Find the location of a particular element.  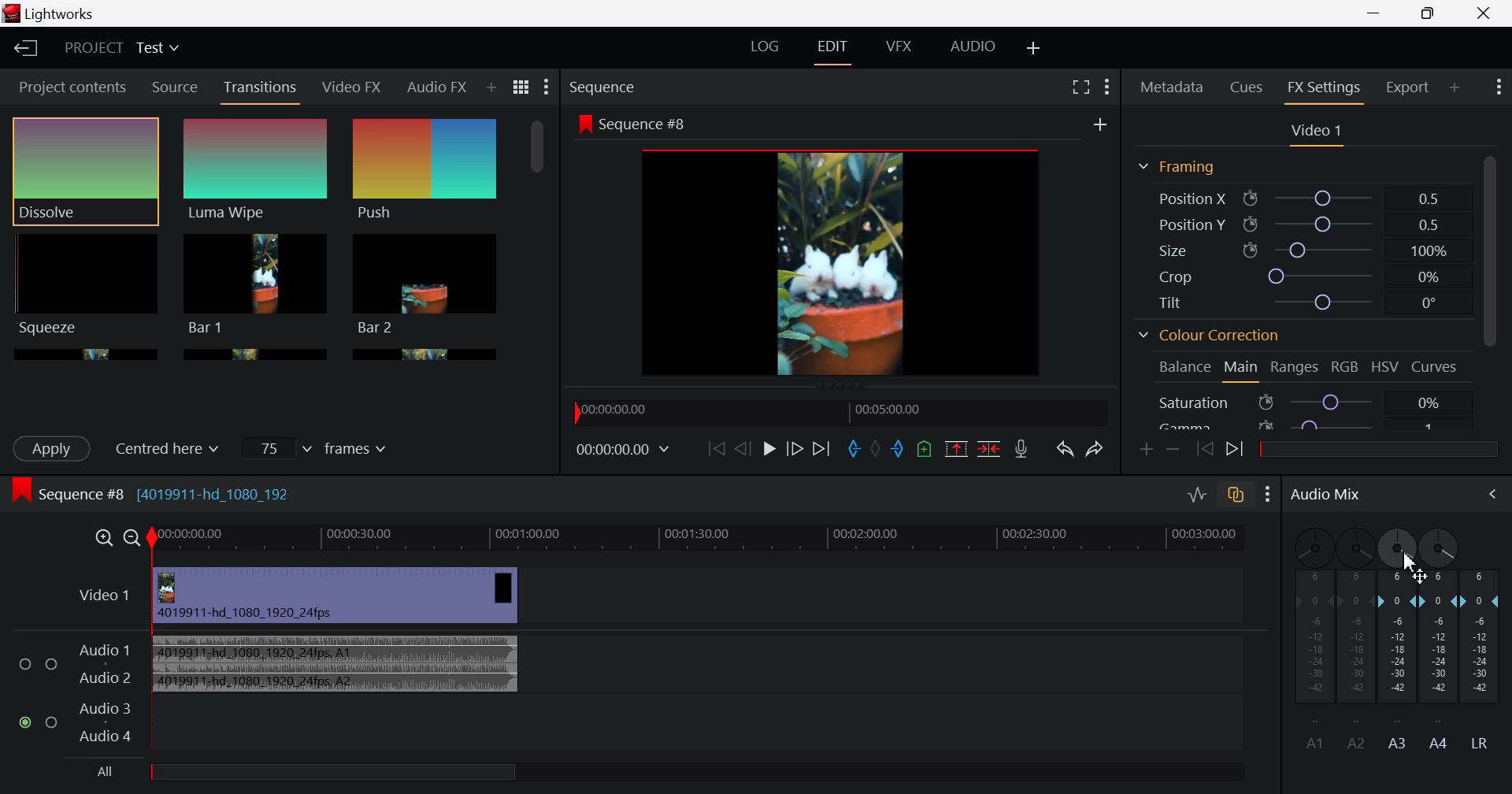

Go Back is located at coordinates (741, 450).